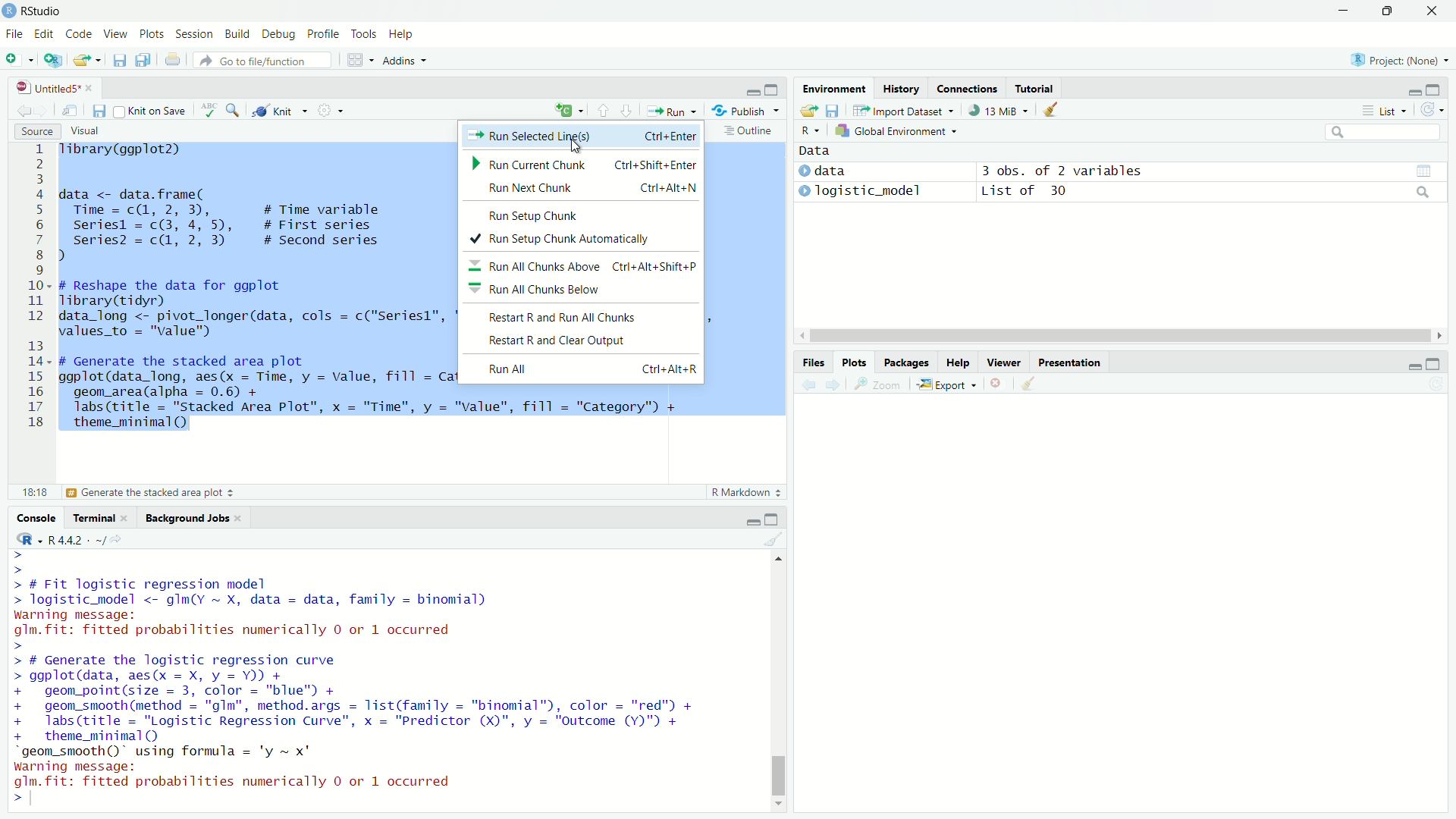 Image resolution: width=1456 pixels, height=819 pixels. I want to click on View, so click(115, 32).